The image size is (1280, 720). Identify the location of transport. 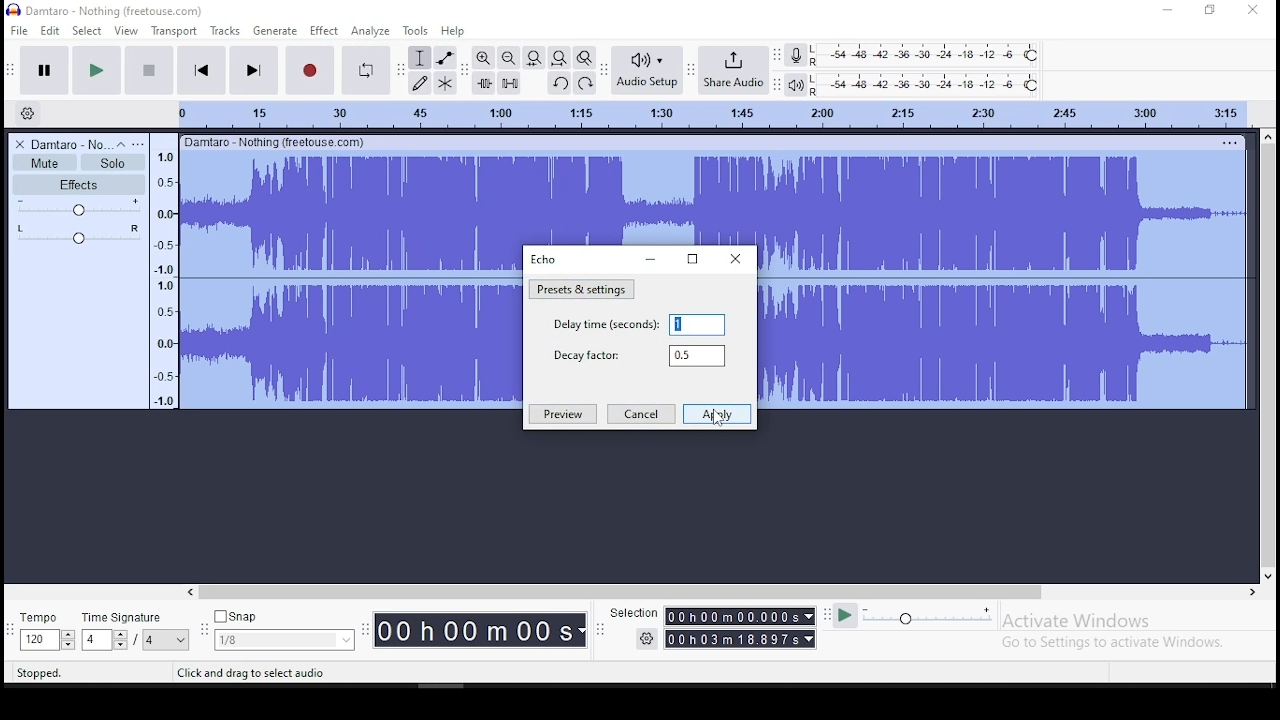
(172, 31).